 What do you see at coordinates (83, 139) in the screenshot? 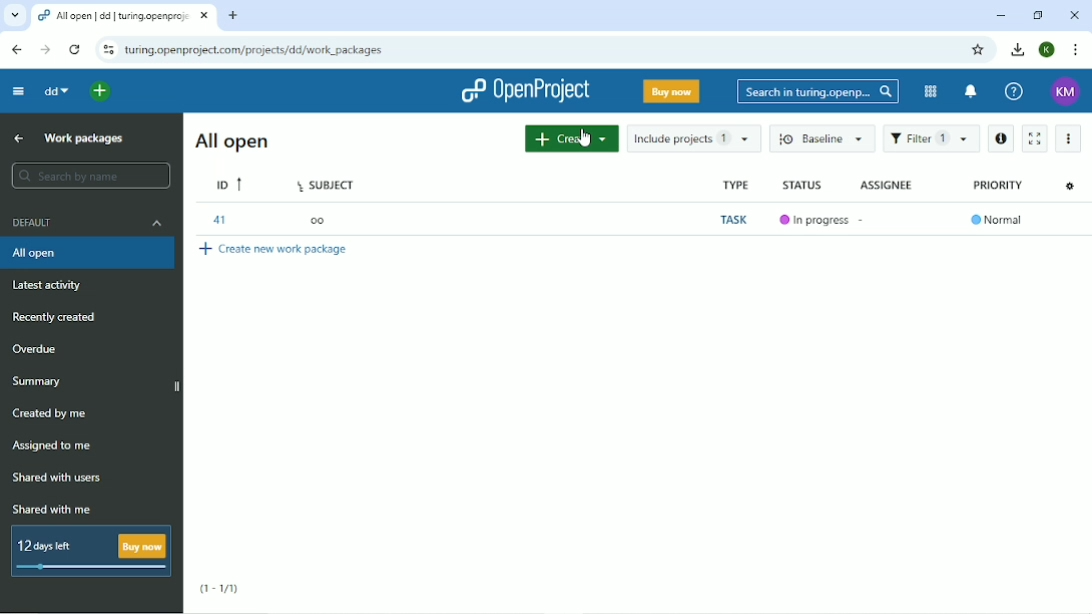
I see `Work packages` at bounding box center [83, 139].